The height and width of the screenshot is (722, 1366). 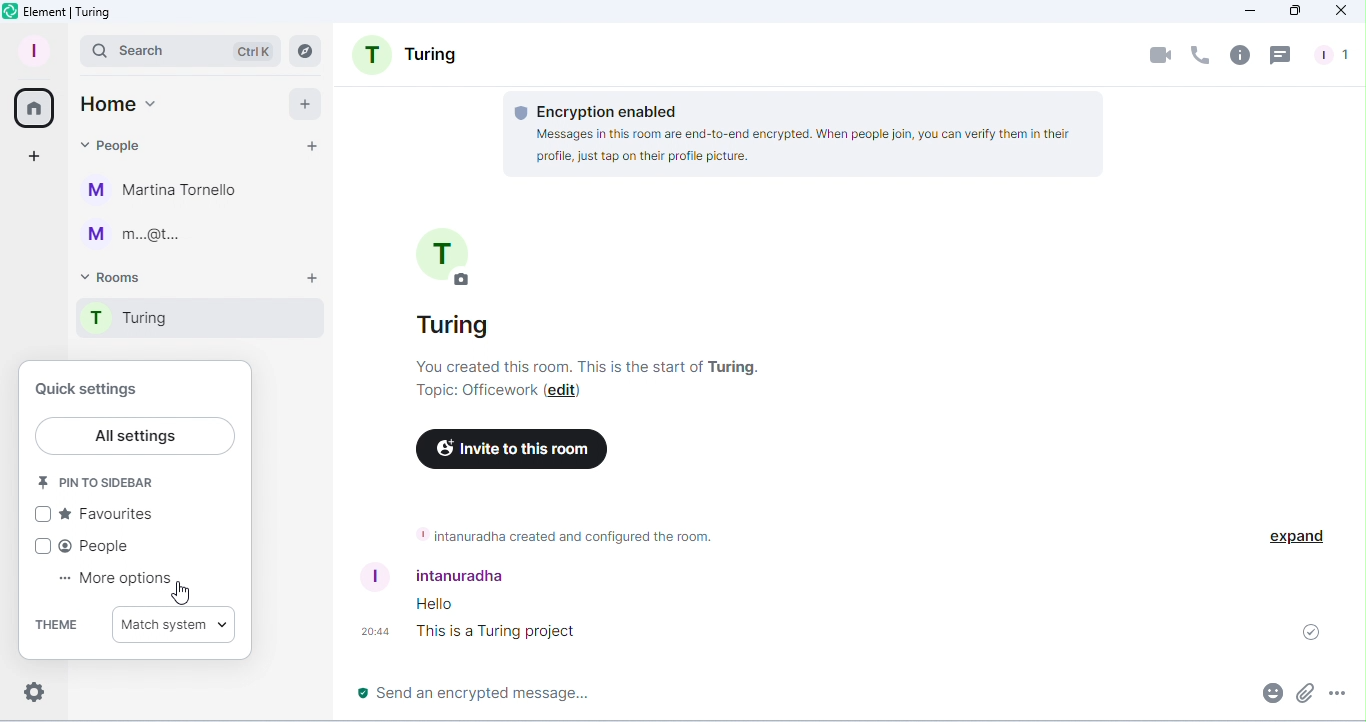 I want to click on Element icon, so click(x=63, y=12).